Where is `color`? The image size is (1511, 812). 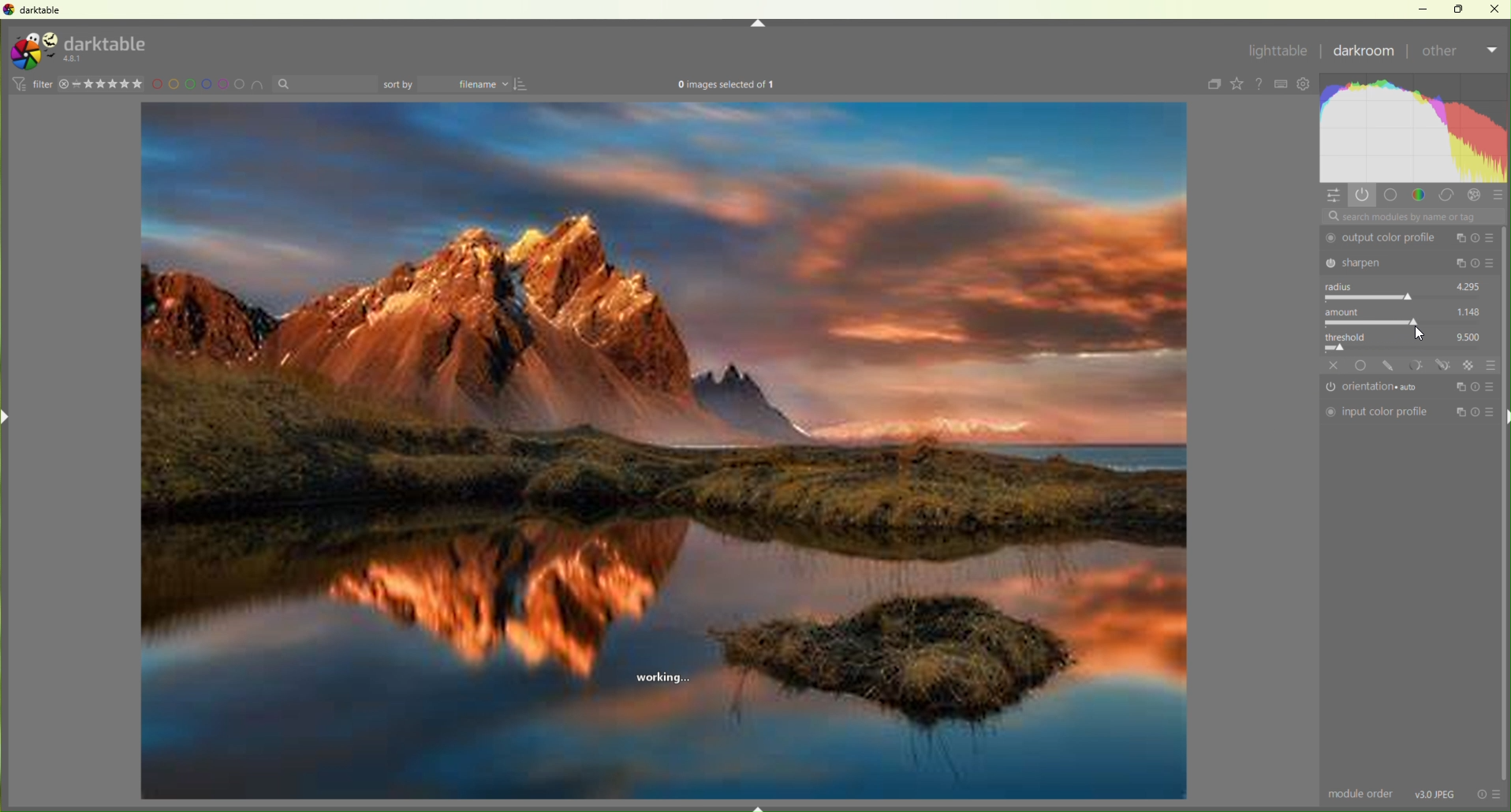 color is located at coordinates (1419, 194).